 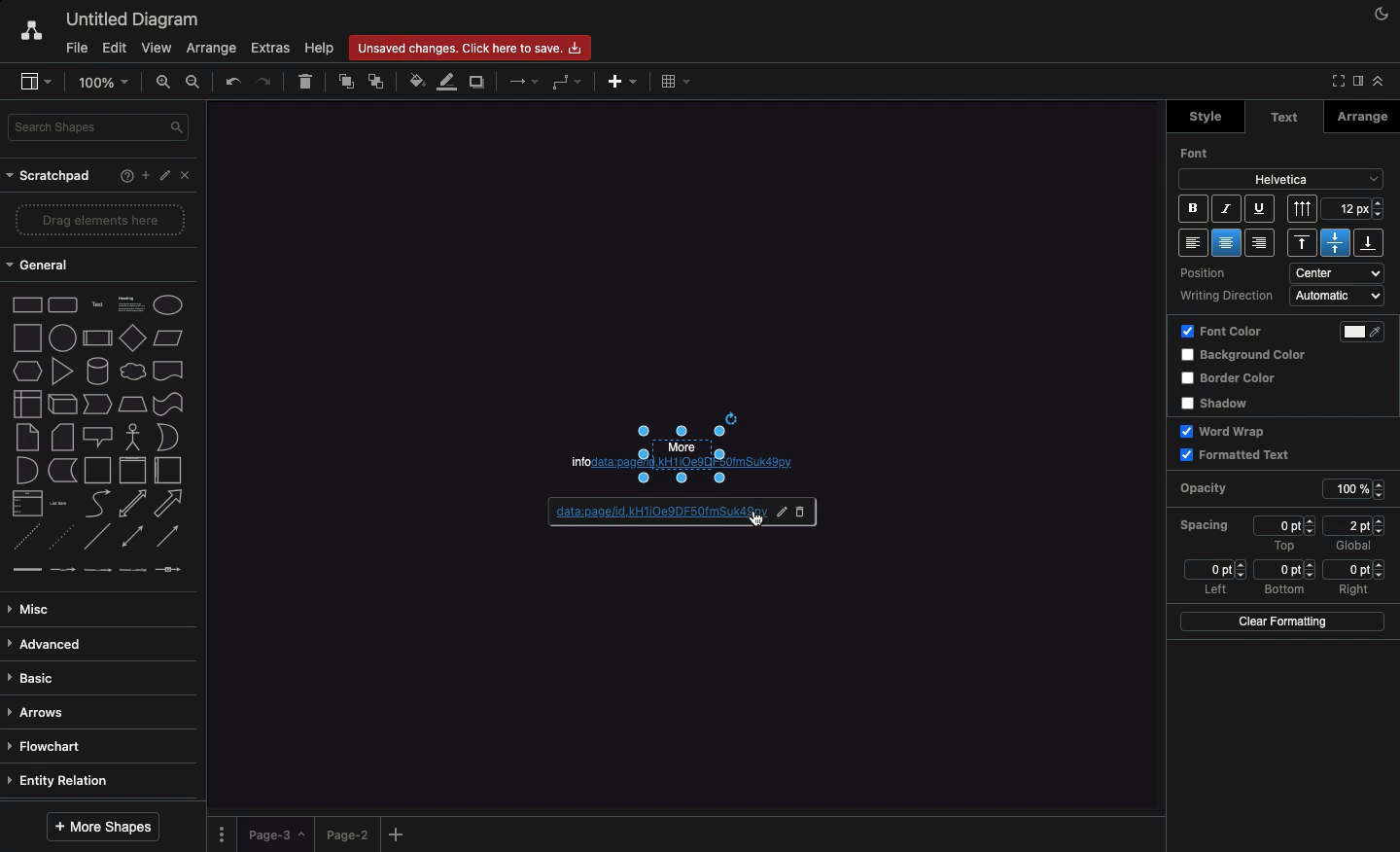 I want to click on 0 pt, so click(x=1355, y=569).